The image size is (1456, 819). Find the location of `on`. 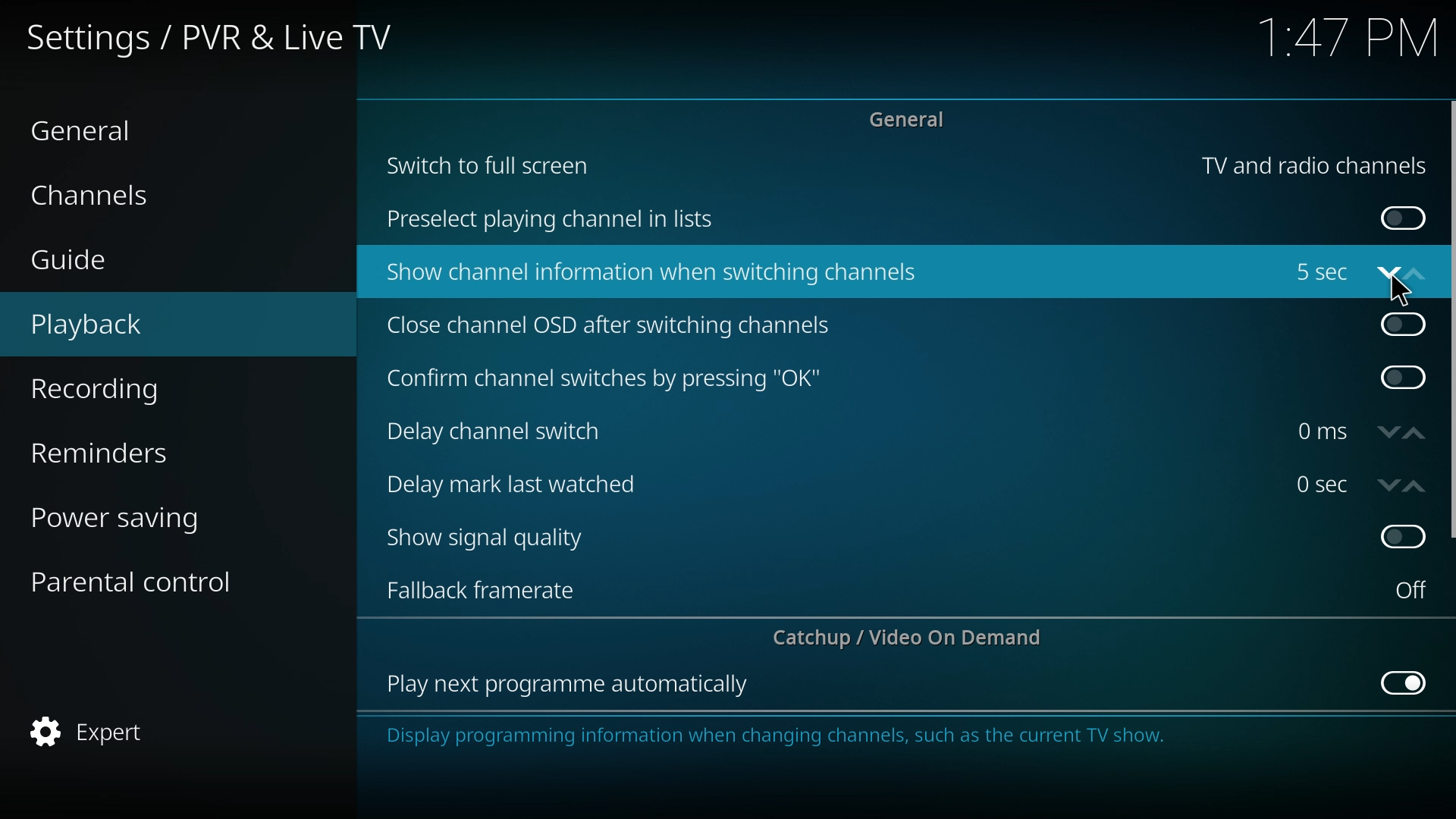

on is located at coordinates (1404, 219).